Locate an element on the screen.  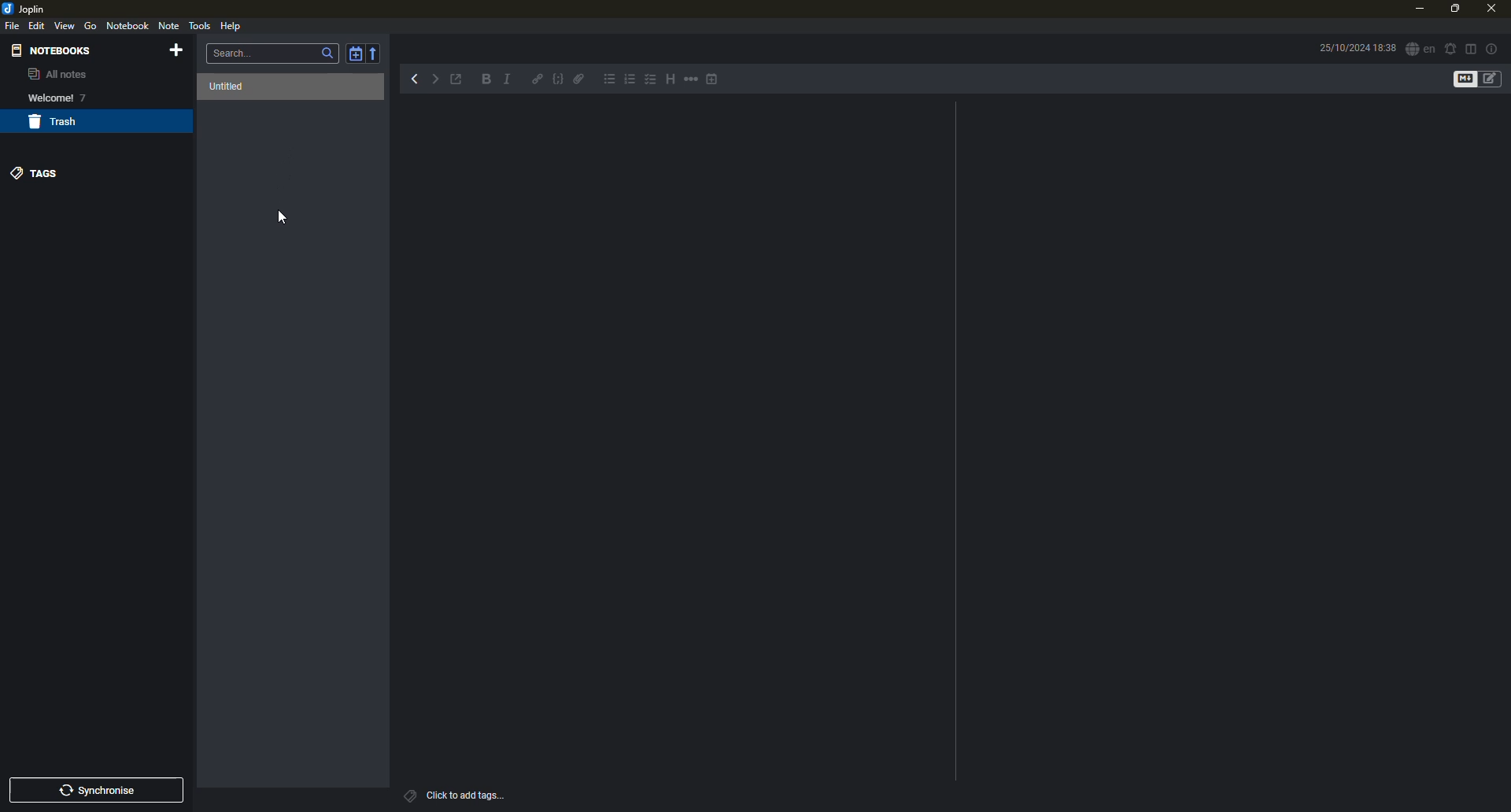
25/10/2024 18:38 is located at coordinates (1357, 47).